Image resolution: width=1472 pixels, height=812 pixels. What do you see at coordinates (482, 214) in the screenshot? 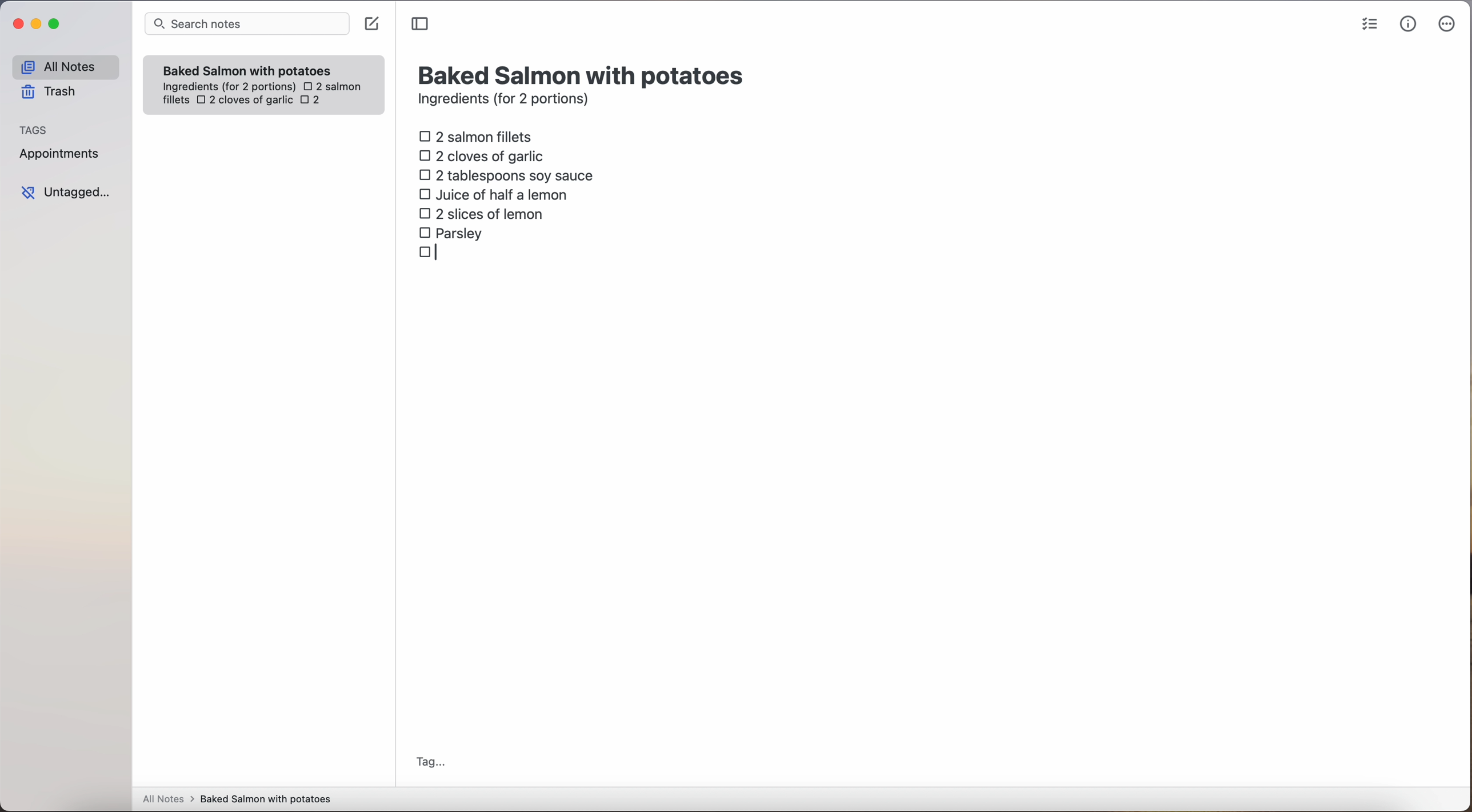
I see `2 slices of lemon` at bounding box center [482, 214].